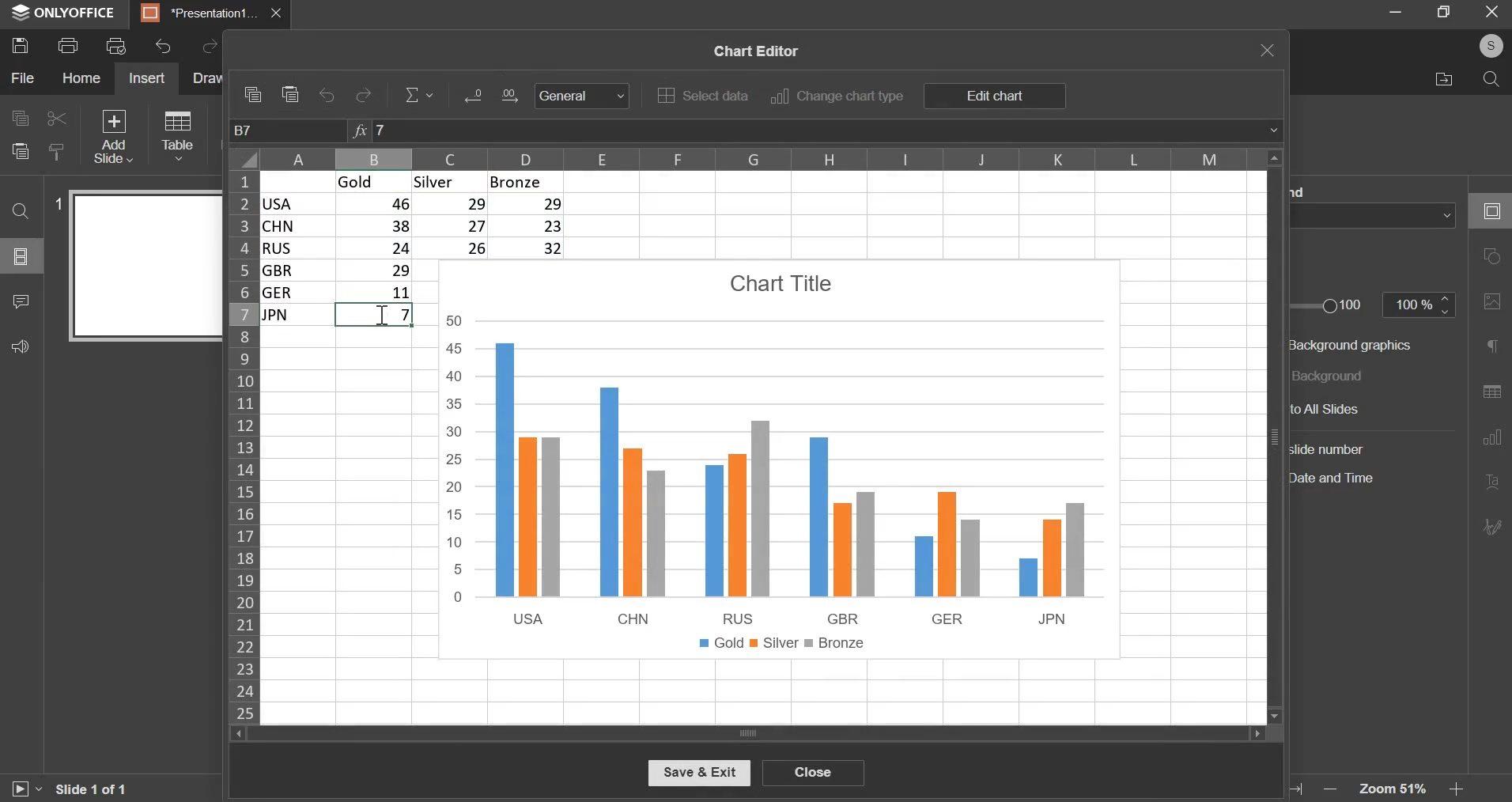 Image resolution: width=1512 pixels, height=802 pixels. I want to click on print, so click(67, 46).